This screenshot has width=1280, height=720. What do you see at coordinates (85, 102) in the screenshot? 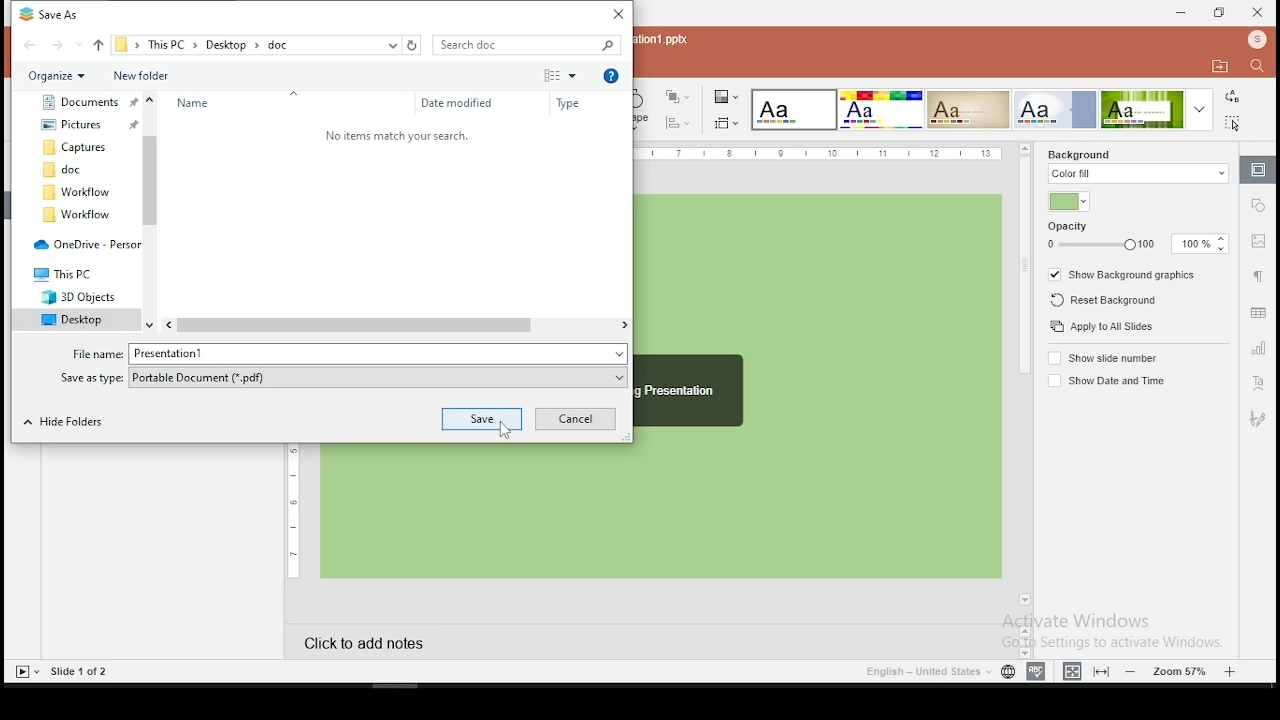
I see `Document` at bounding box center [85, 102].